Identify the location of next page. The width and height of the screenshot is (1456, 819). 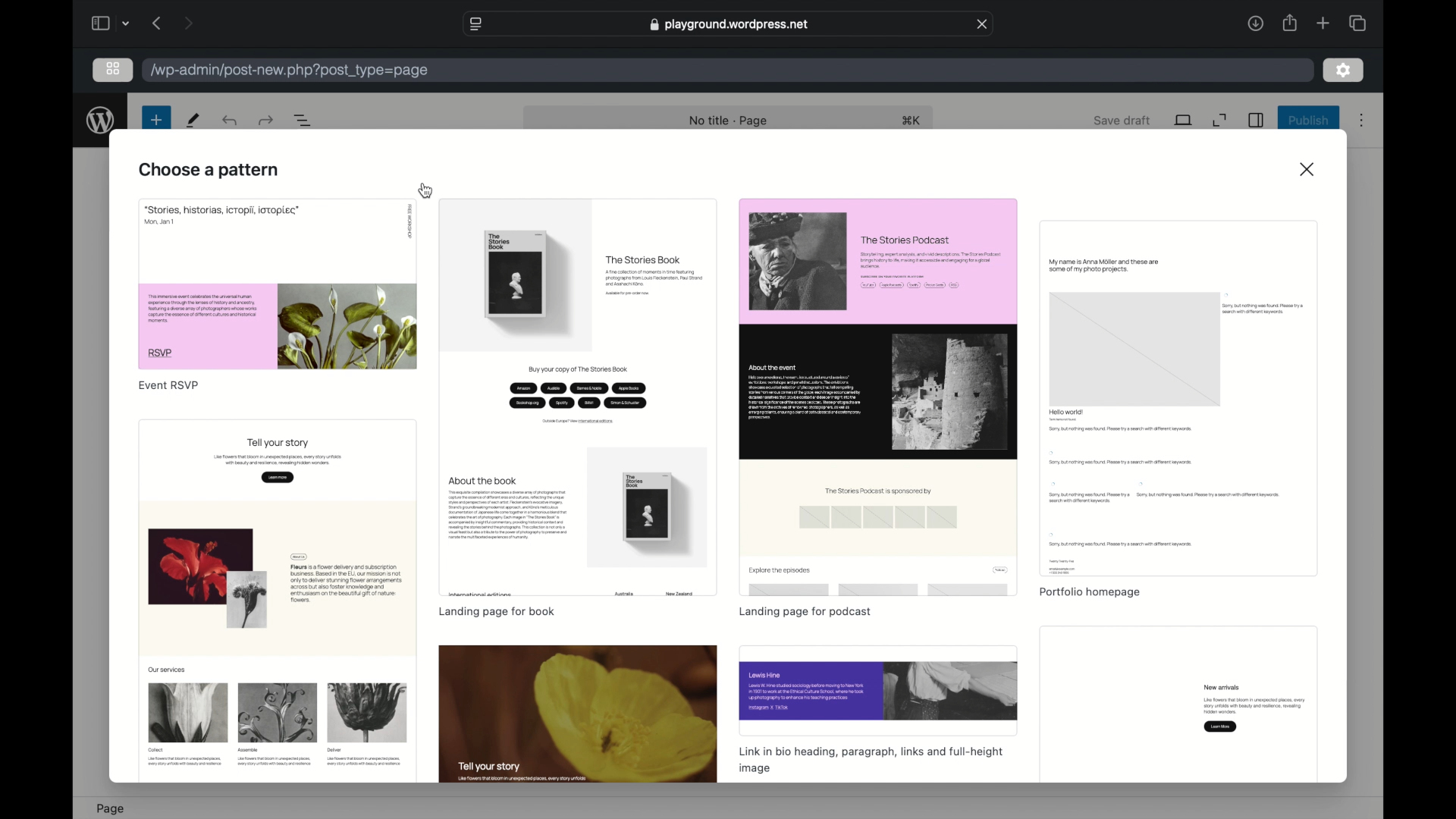
(188, 23).